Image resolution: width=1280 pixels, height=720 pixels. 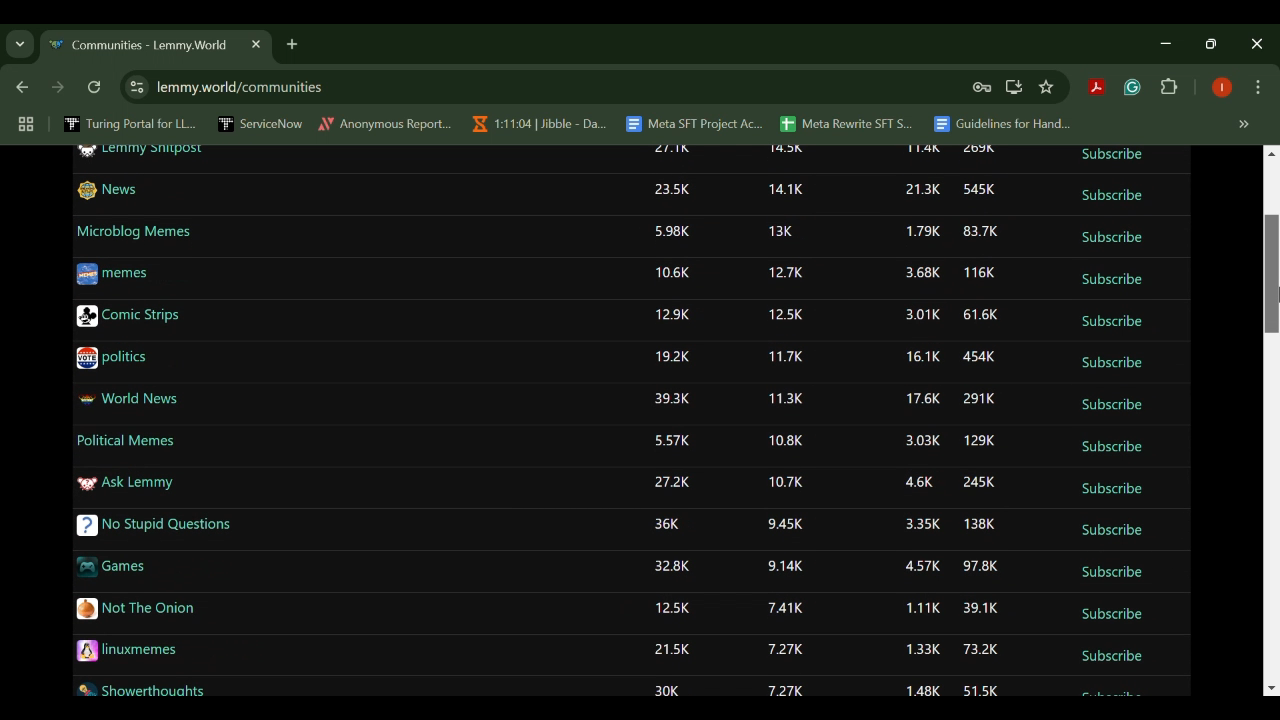 I want to click on Anonymous Report..., so click(x=386, y=123).